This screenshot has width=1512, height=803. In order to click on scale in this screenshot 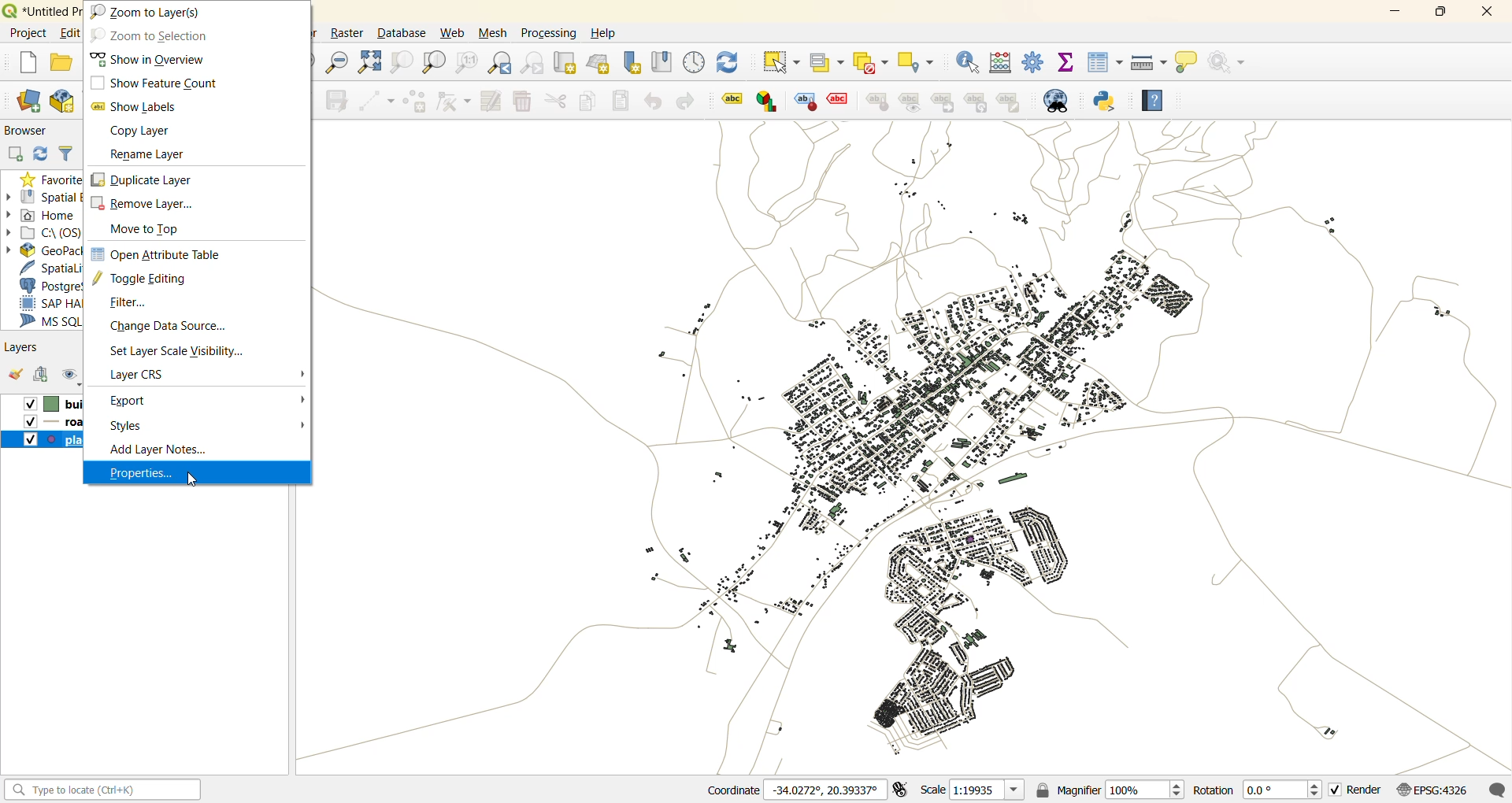, I will do `click(976, 791)`.